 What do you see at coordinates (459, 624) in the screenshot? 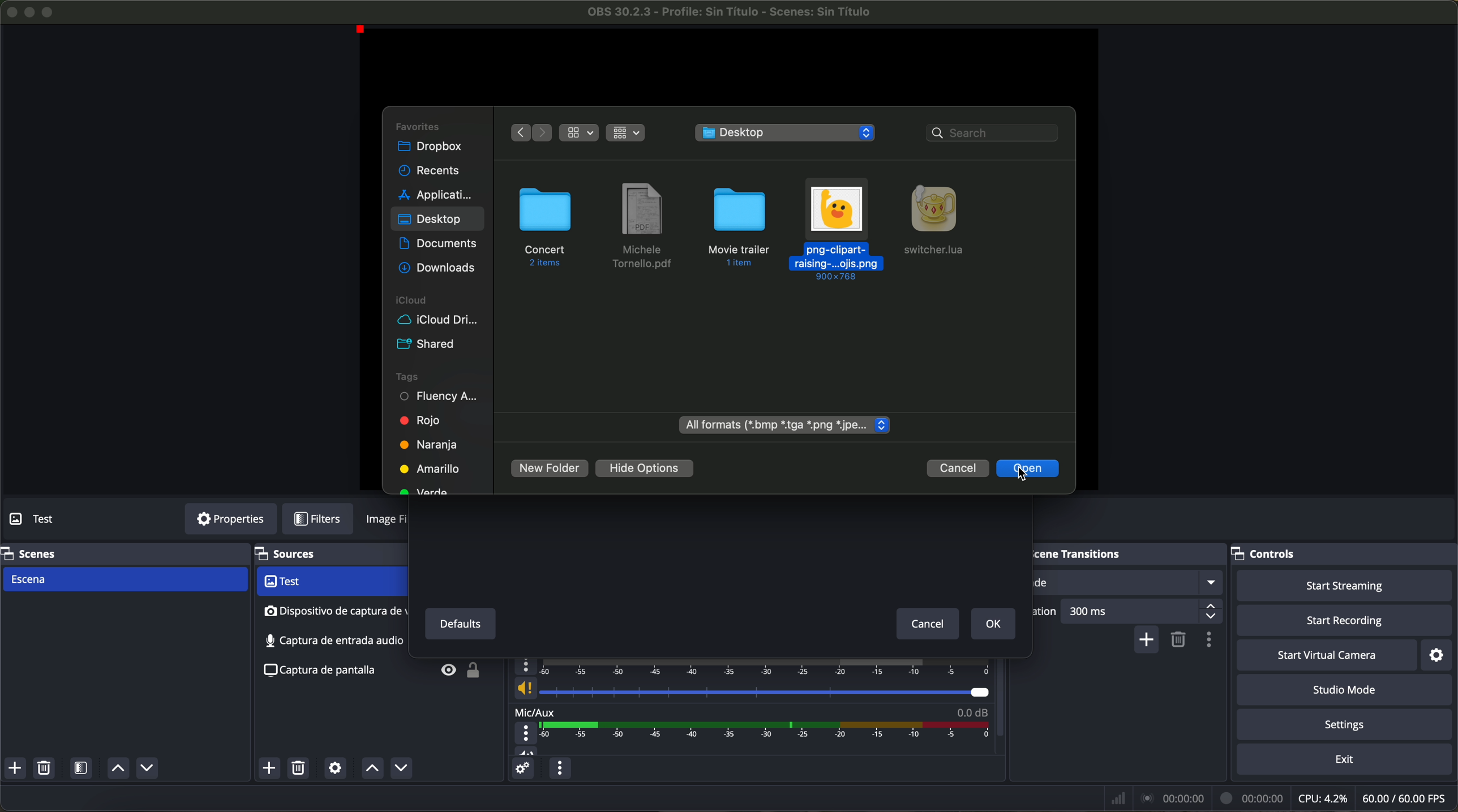
I see `defaults` at bounding box center [459, 624].